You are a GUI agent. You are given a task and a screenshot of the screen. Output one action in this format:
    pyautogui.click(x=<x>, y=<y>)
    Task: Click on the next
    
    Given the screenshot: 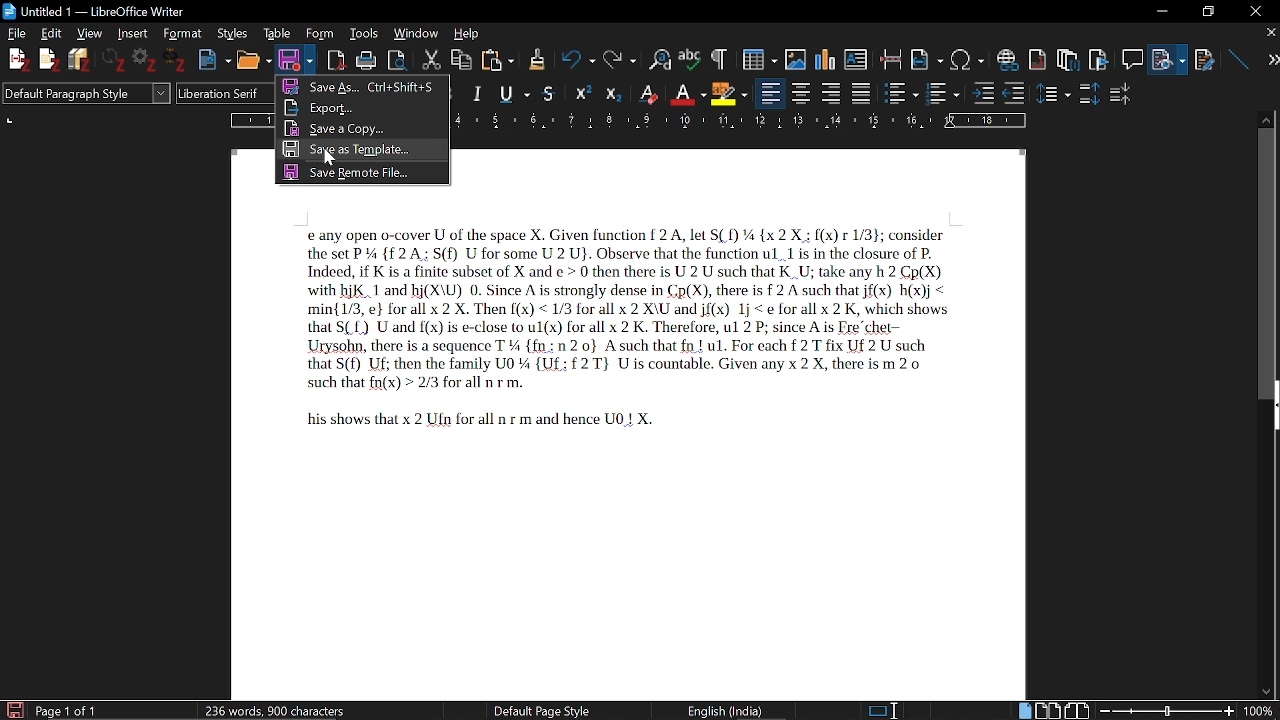 What is the action you would take?
    pyautogui.click(x=1266, y=60)
    